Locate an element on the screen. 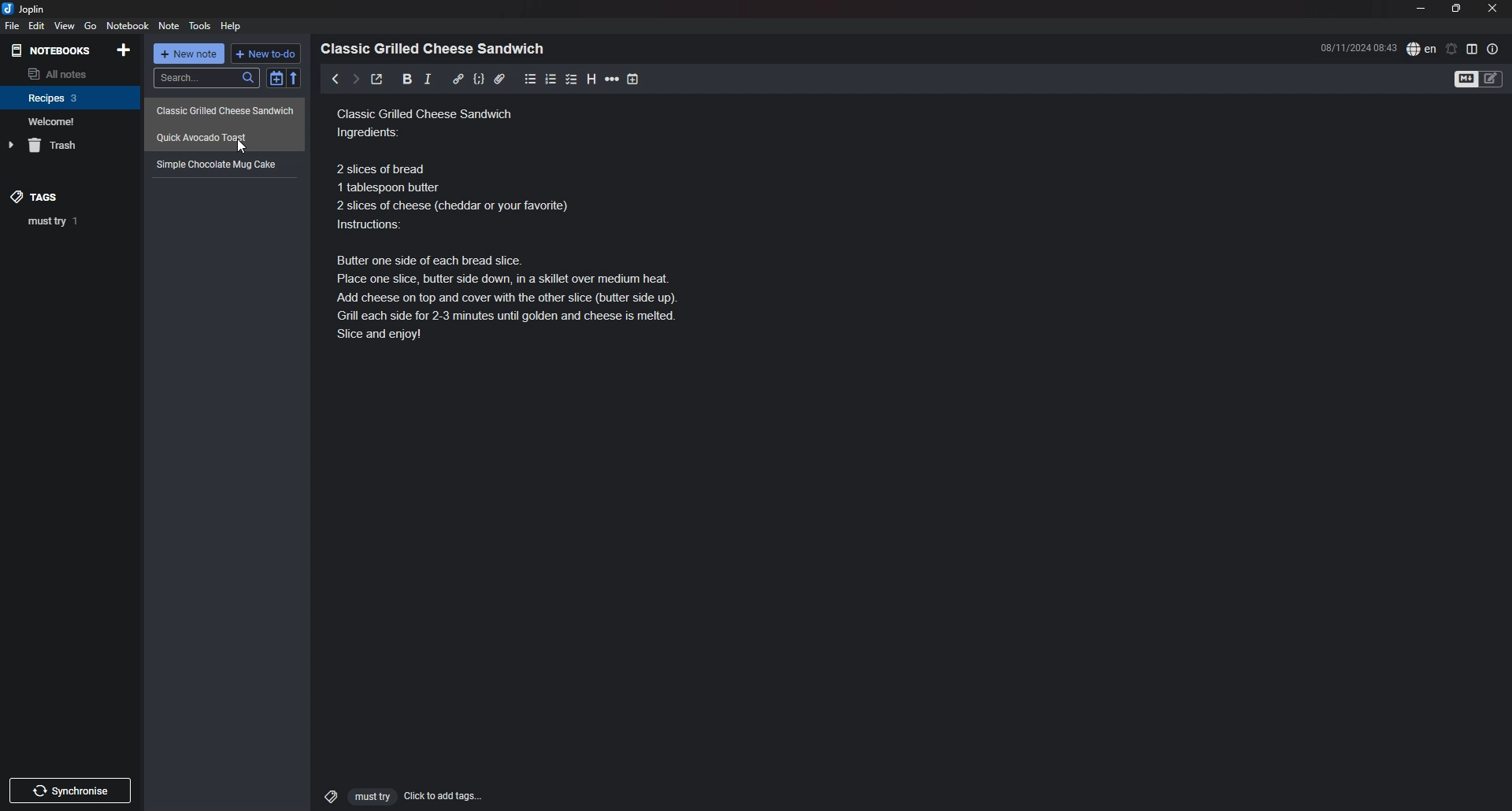  file is located at coordinates (11, 27).